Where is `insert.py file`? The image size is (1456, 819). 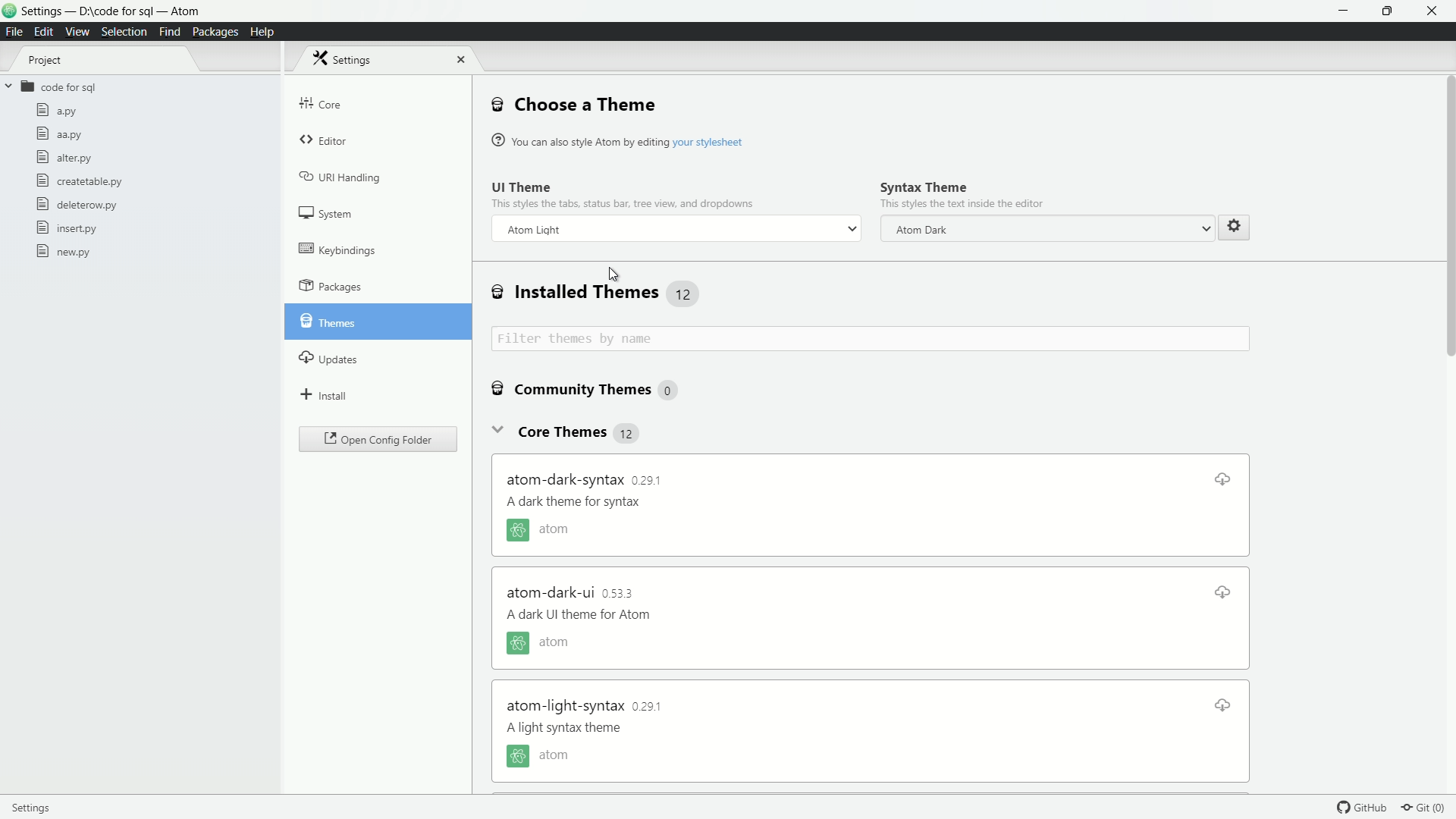 insert.py file is located at coordinates (67, 228).